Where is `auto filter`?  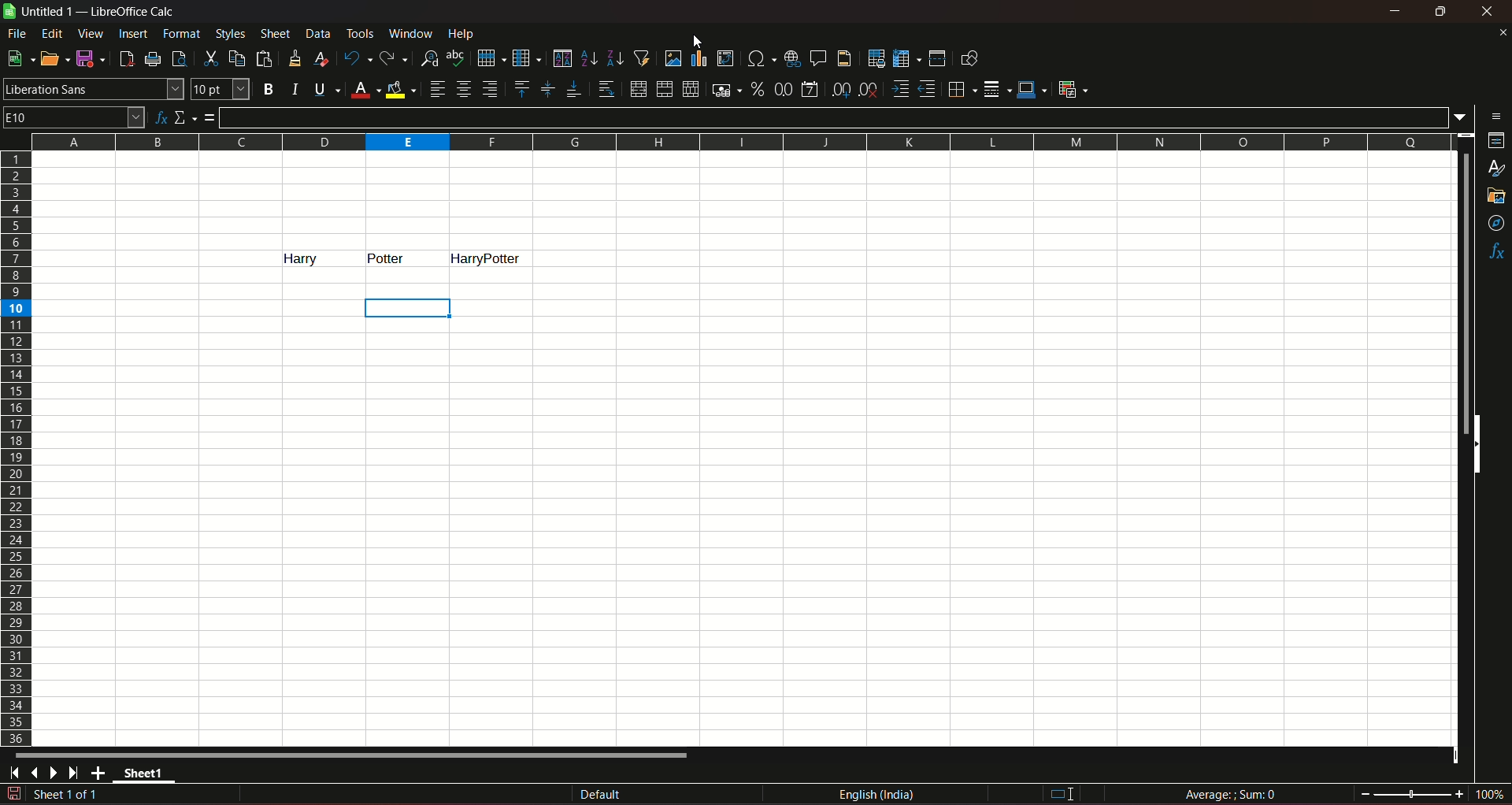 auto filter is located at coordinates (642, 57).